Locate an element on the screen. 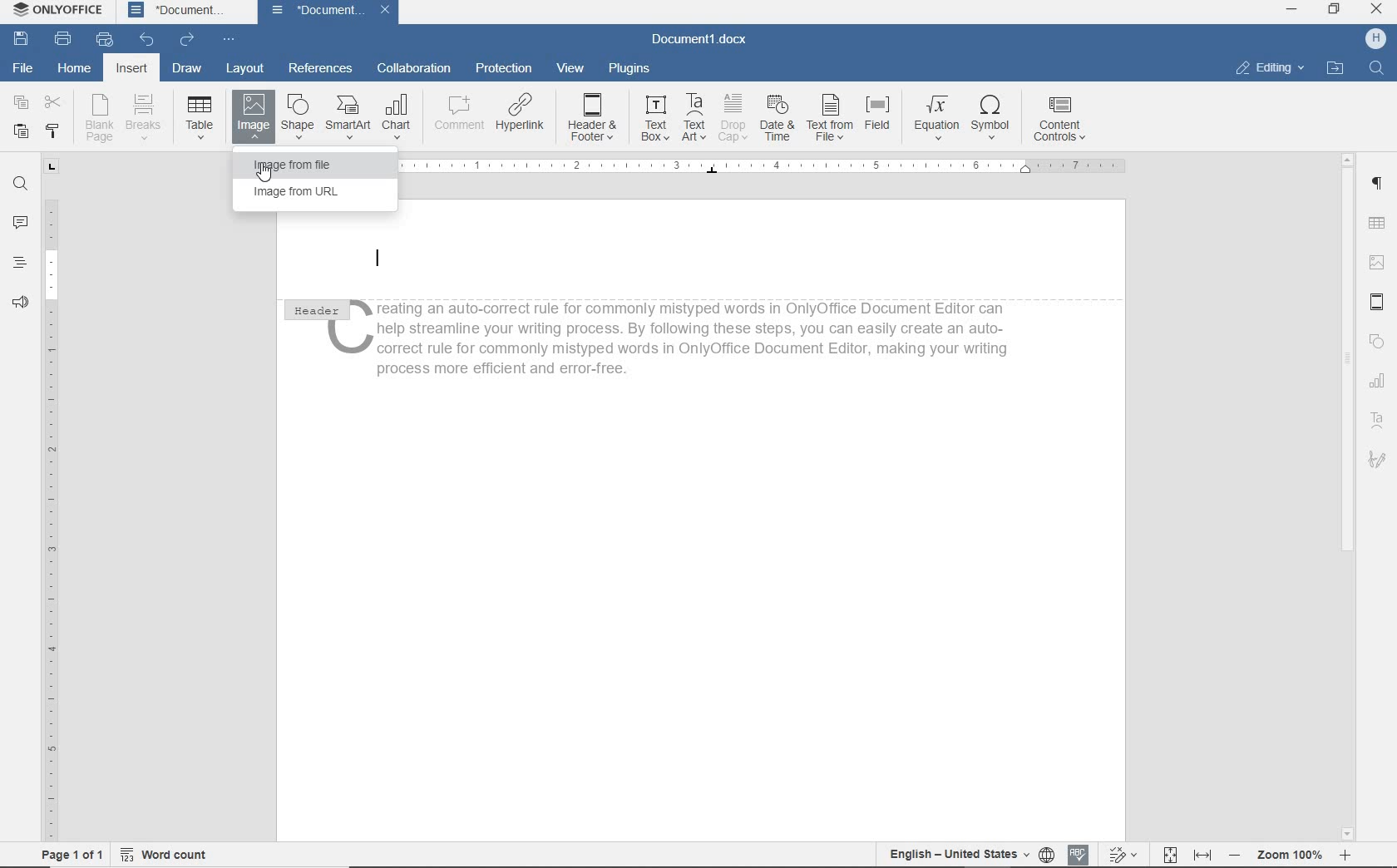 Image resolution: width=1397 pixels, height=868 pixels. SIGNATURE is located at coordinates (1379, 462).